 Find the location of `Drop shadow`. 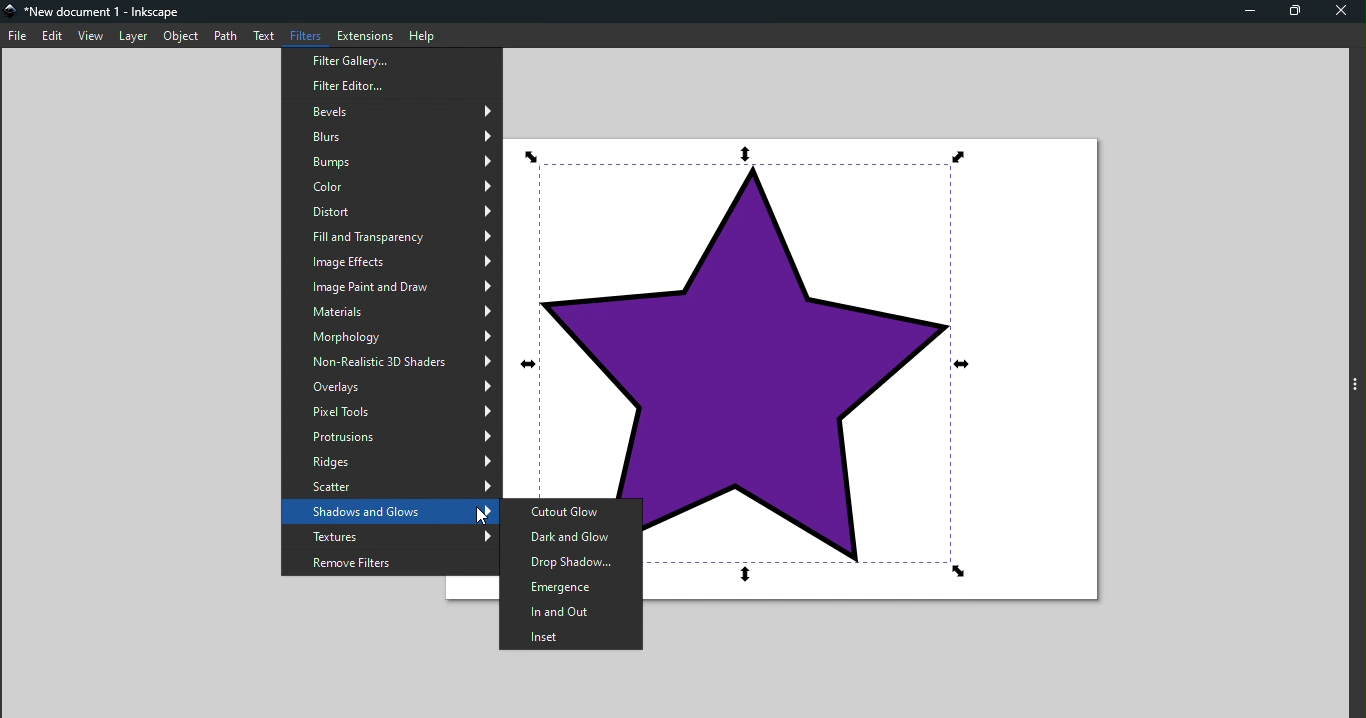

Drop shadow is located at coordinates (571, 561).